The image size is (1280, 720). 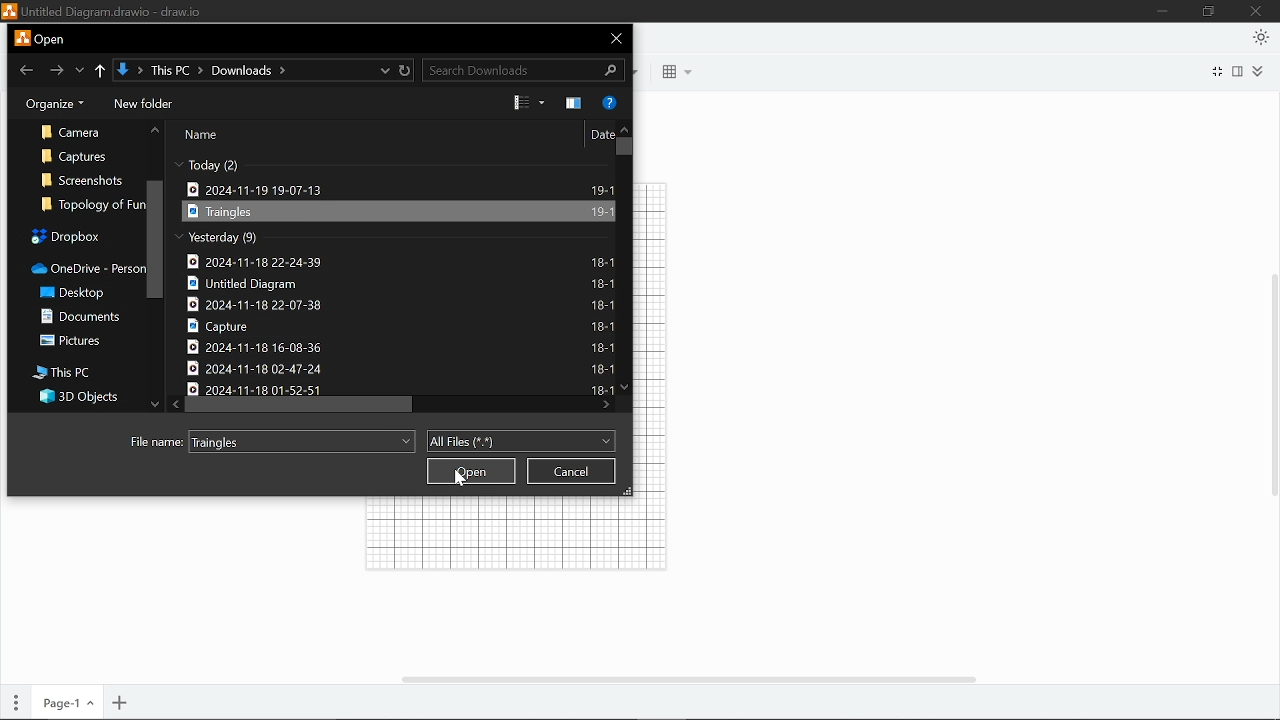 I want to click on logo, so click(x=10, y=13).